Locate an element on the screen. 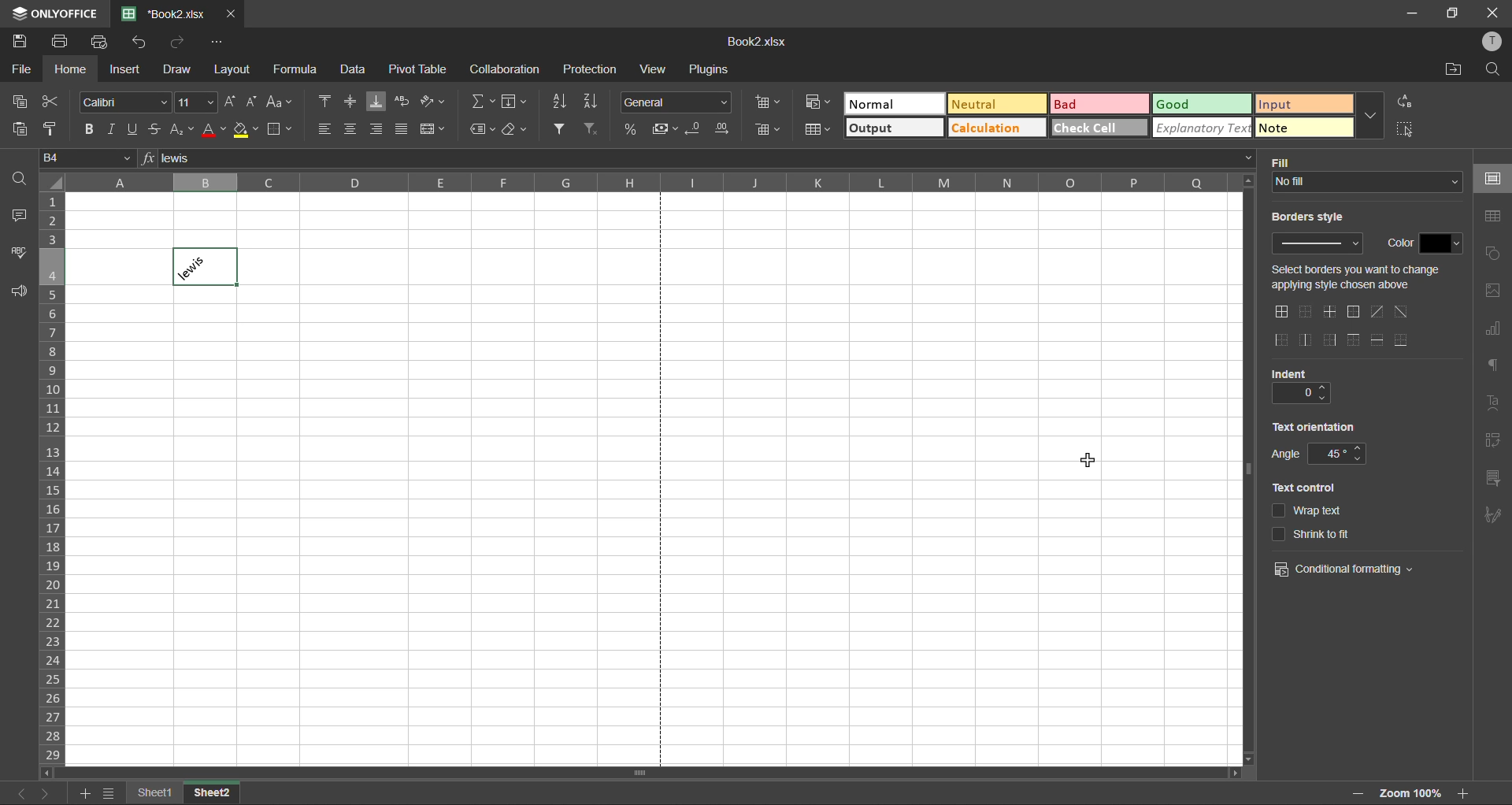 The height and width of the screenshot is (805, 1512). justified is located at coordinates (399, 129).